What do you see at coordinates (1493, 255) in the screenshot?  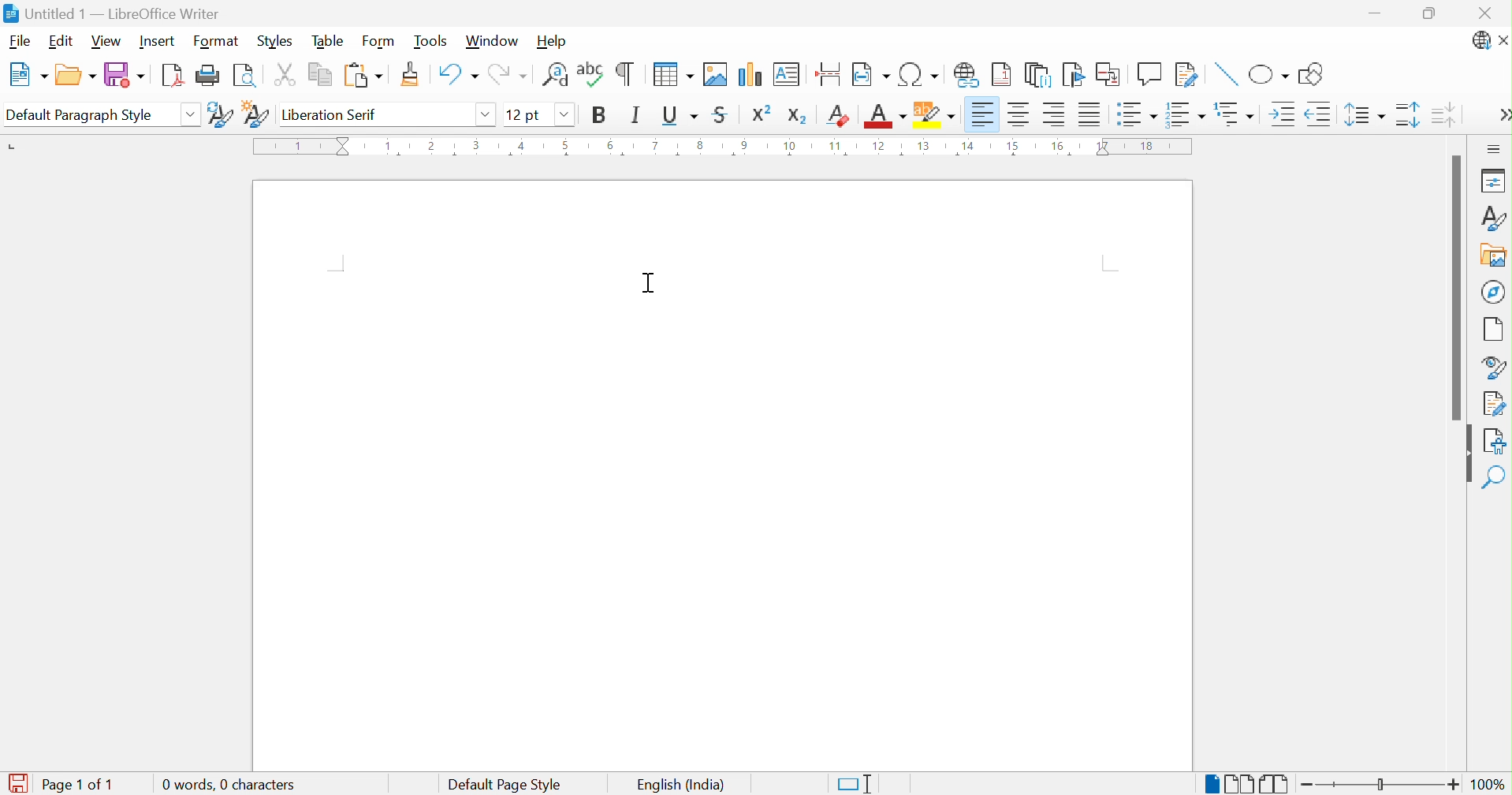 I see `Gallery` at bounding box center [1493, 255].